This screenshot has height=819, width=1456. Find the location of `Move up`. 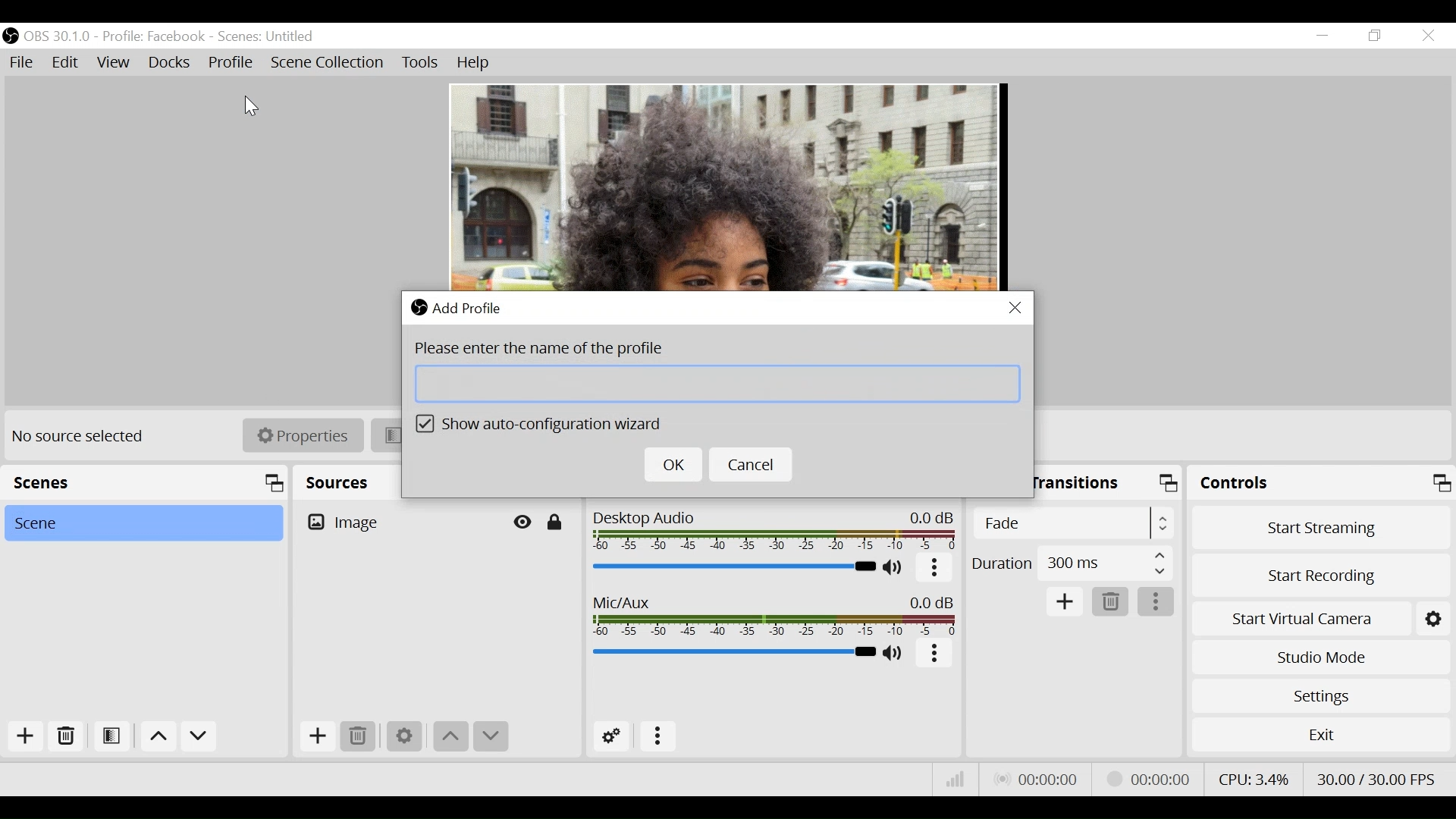

Move up is located at coordinates (450, 736).